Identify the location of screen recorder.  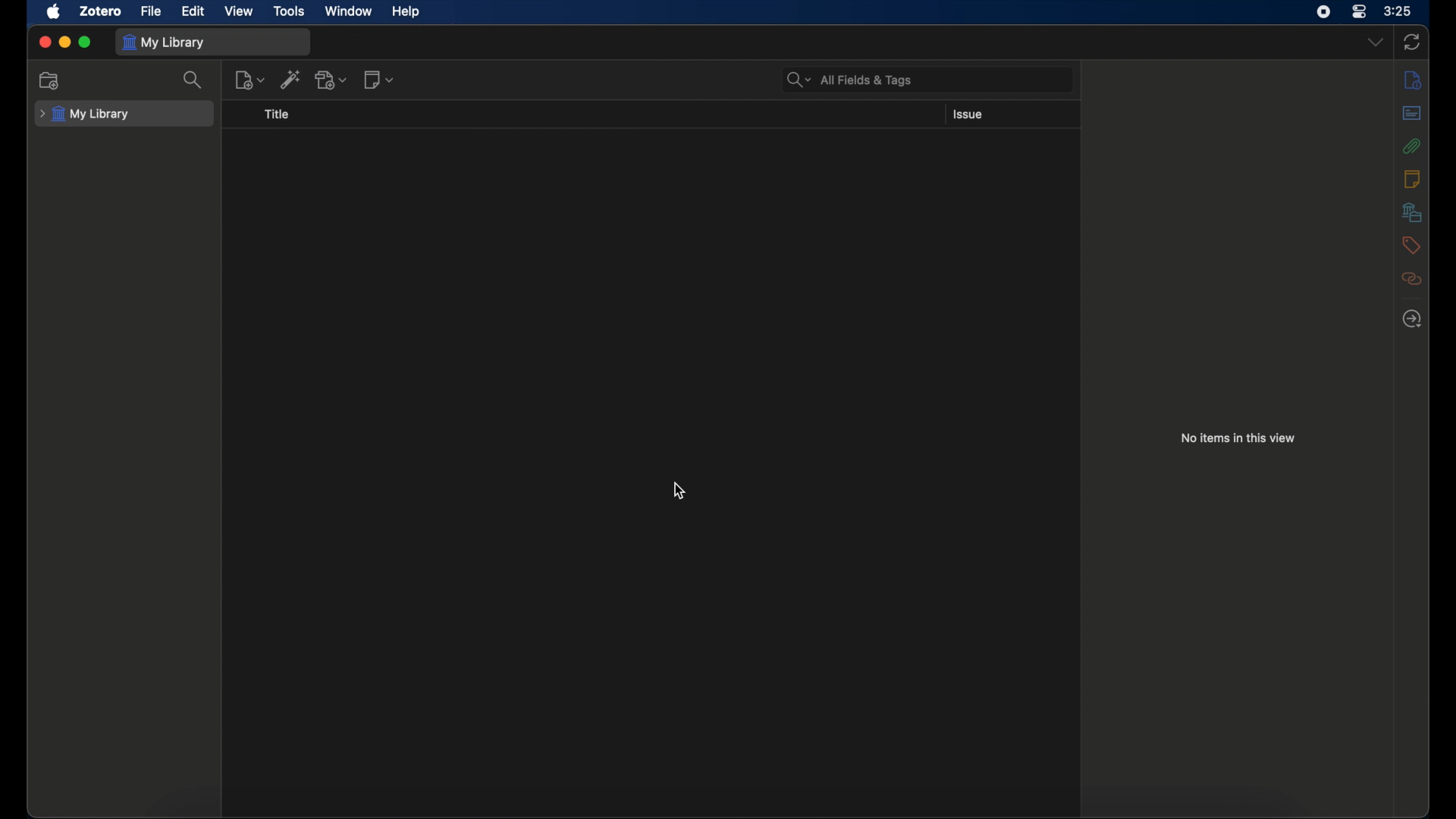
(1323, 12).